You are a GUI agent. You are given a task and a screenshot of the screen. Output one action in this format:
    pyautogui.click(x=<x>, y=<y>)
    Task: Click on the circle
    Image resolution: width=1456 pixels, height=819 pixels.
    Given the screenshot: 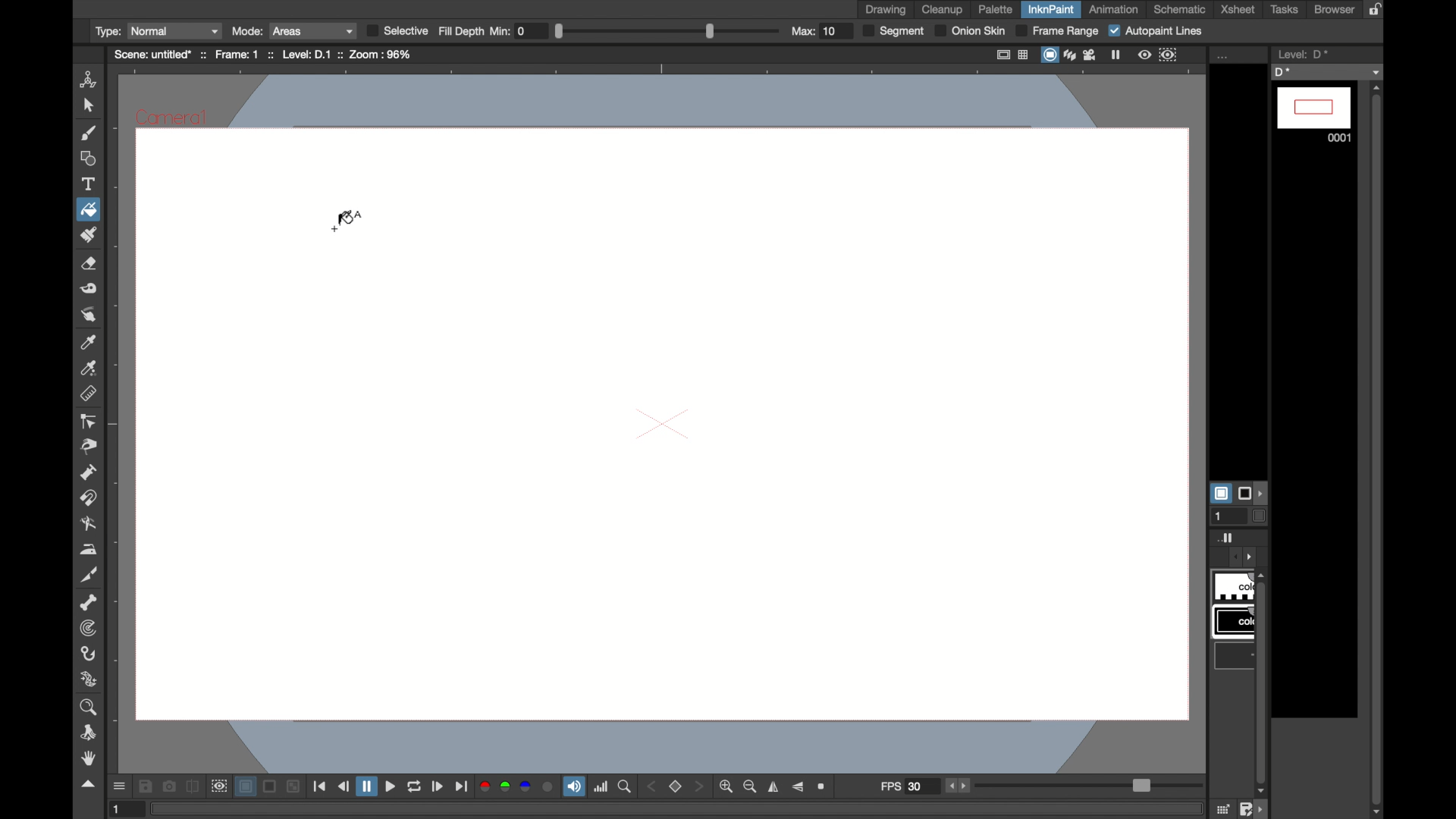 What is the action you would take?
    pyautogui.click(x=548, y=786)
    